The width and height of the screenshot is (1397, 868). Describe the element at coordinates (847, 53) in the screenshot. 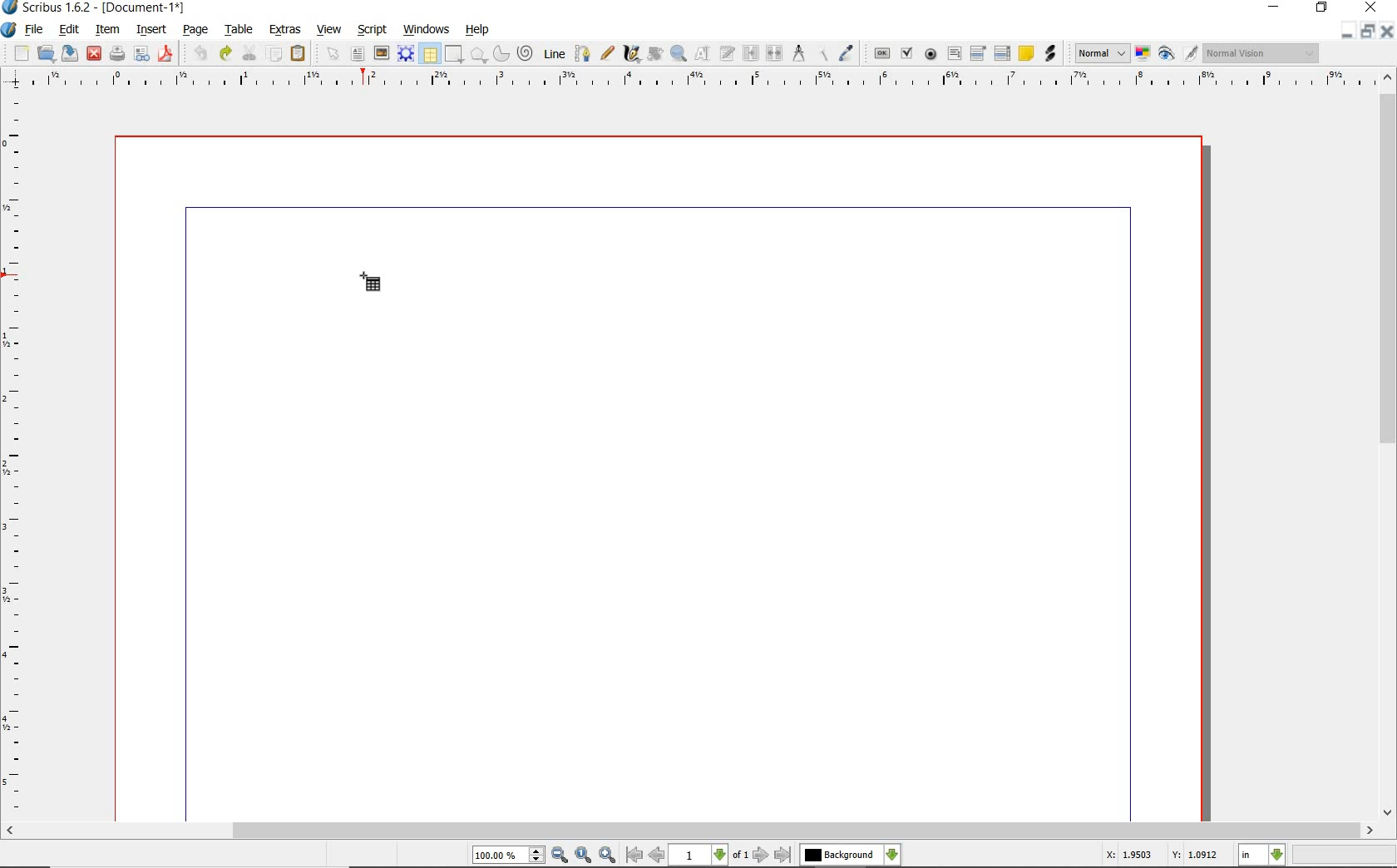

I see `eye dropper` at that location.